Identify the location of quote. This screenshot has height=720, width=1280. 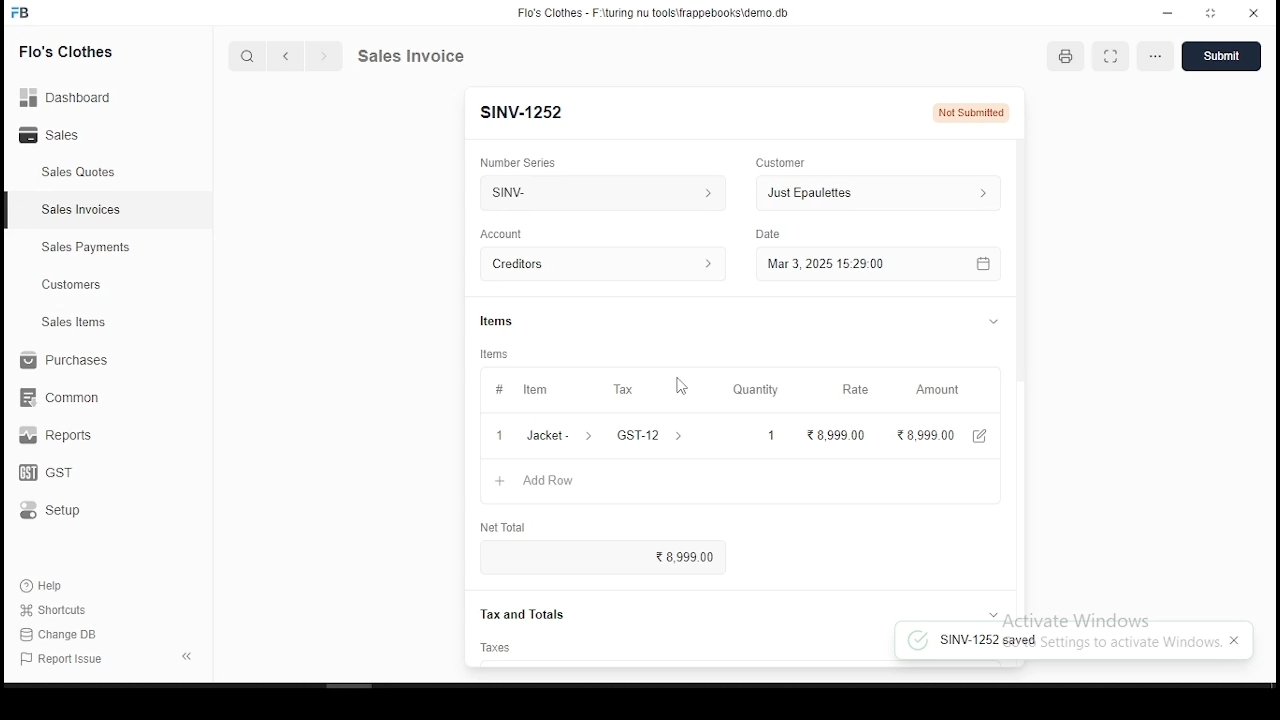
(407, 56).